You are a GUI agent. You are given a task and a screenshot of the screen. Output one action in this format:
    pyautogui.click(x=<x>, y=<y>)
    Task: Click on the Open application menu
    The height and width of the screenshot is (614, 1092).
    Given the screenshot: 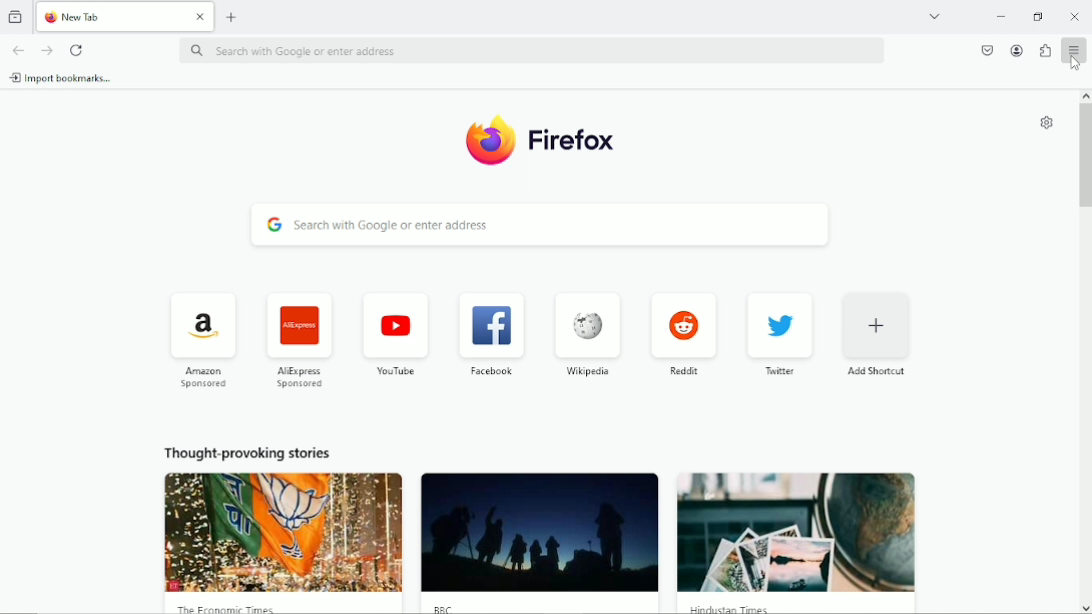 What is the action you would take?
    pyautogui.click(x=1074, y=50)
    